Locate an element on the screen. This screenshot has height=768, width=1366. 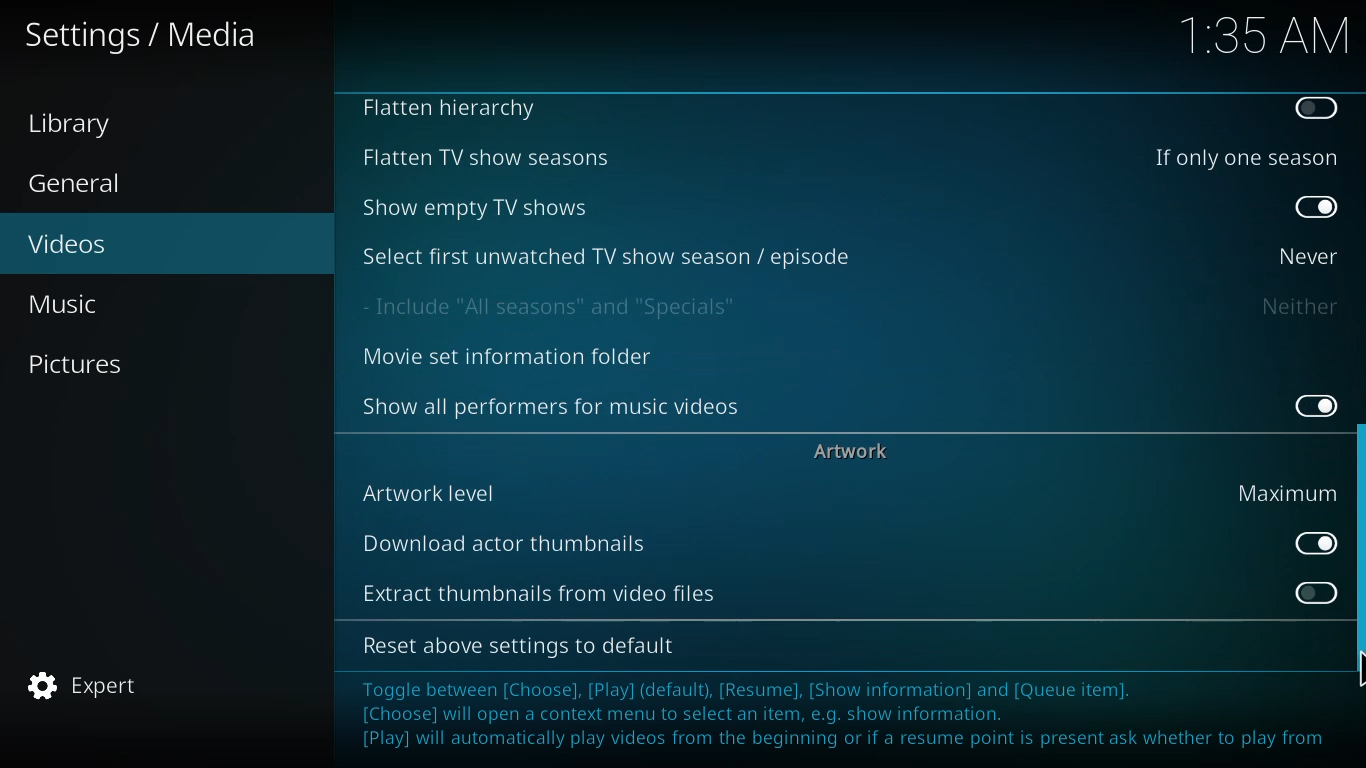
artwork level is located at coordinates (431, 492).